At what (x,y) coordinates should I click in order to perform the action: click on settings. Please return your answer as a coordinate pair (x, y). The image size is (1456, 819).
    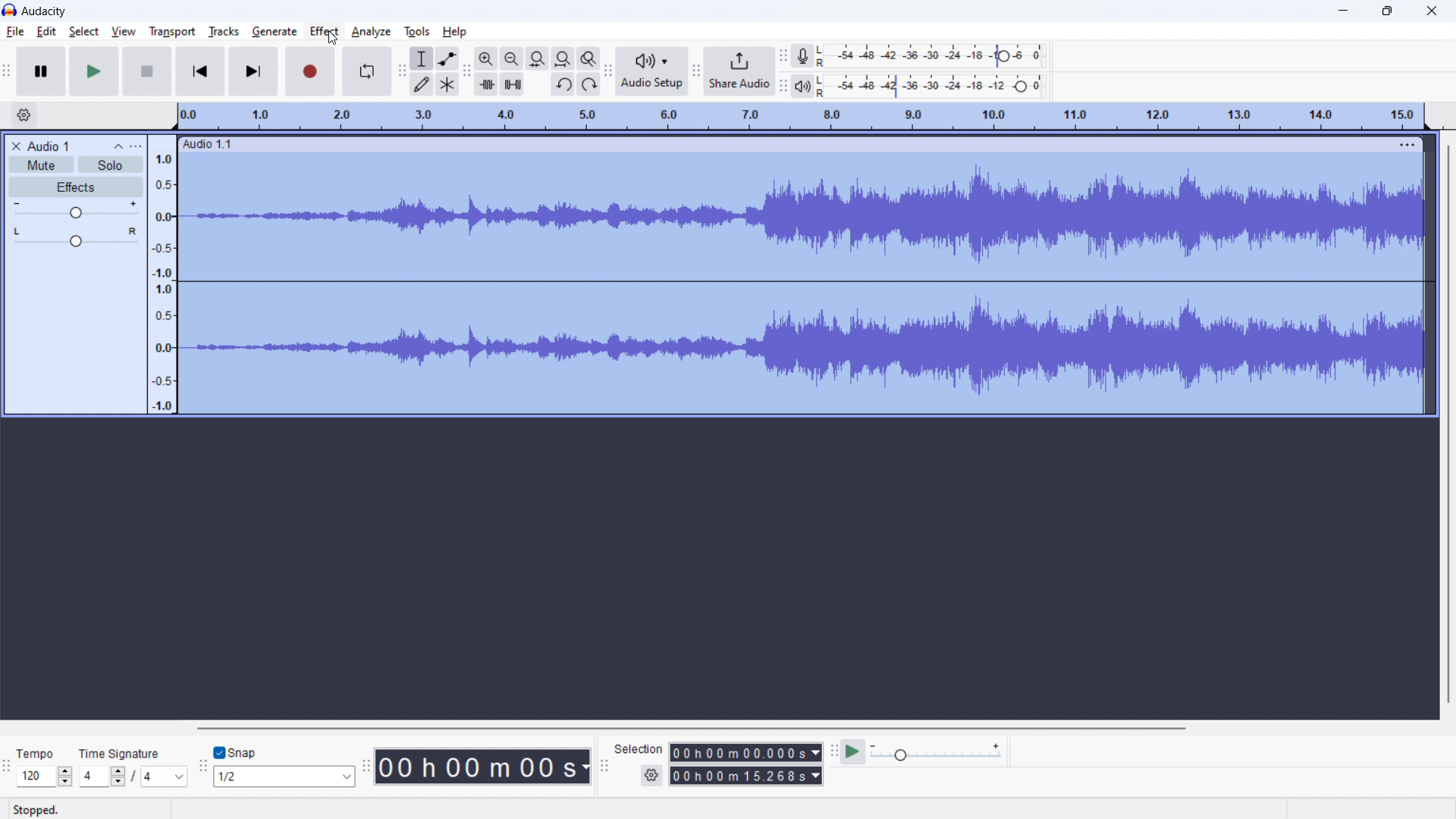
    Looking at the image, I should click on (651, 776).